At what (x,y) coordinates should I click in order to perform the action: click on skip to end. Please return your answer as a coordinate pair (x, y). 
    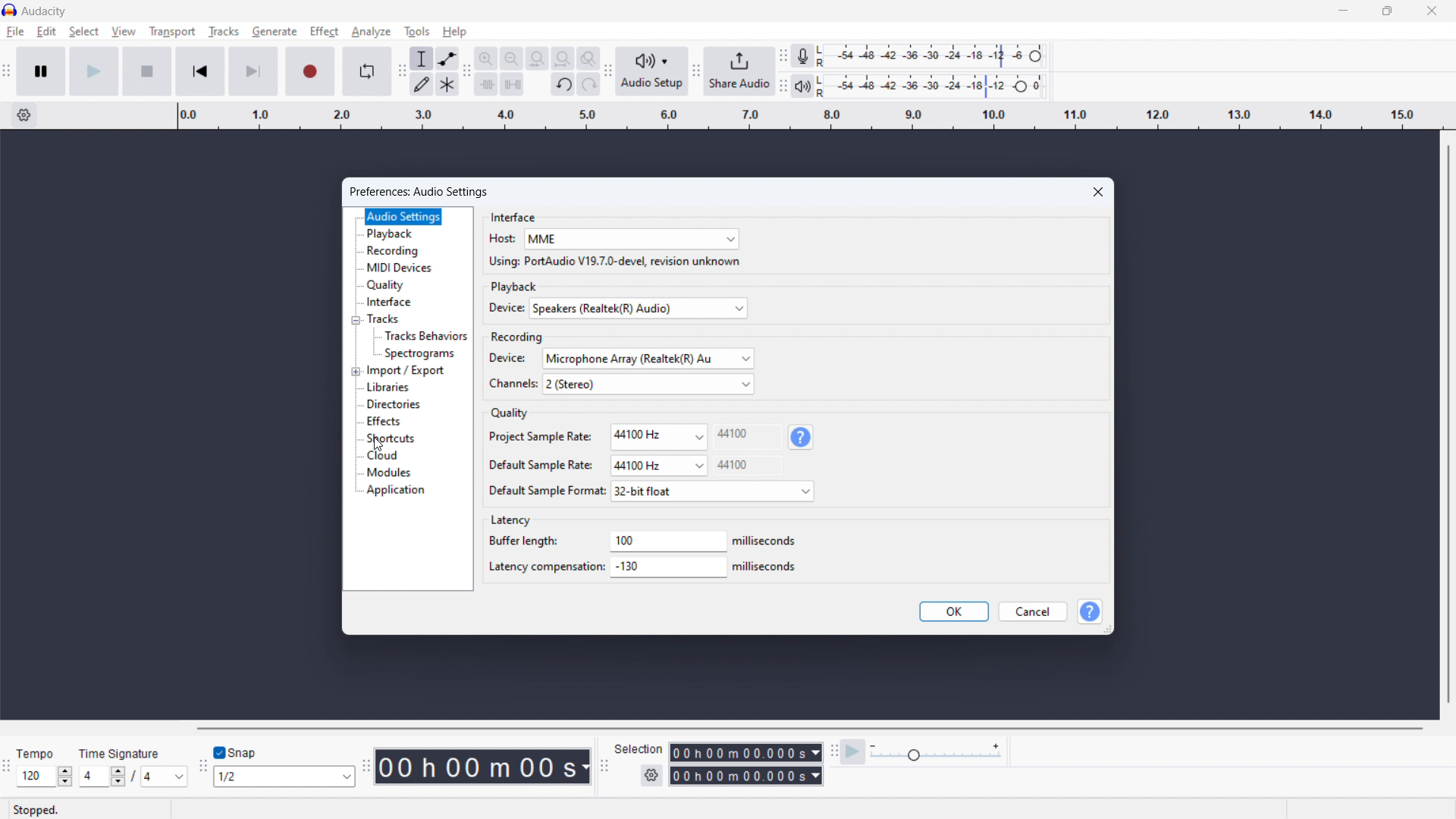
    Looking at the image, I should click on (253, 71).